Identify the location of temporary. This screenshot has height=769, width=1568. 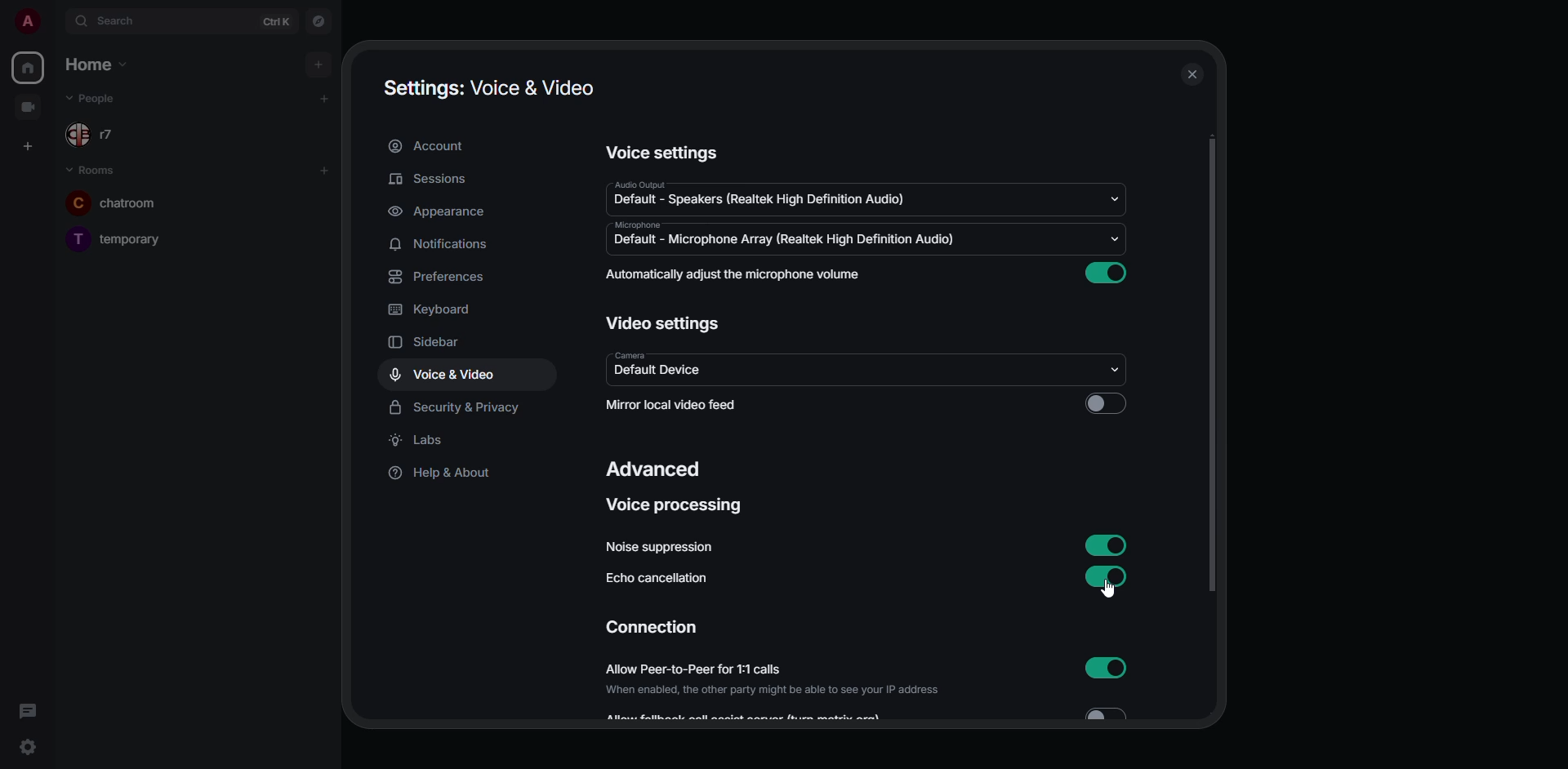
(120, 237).